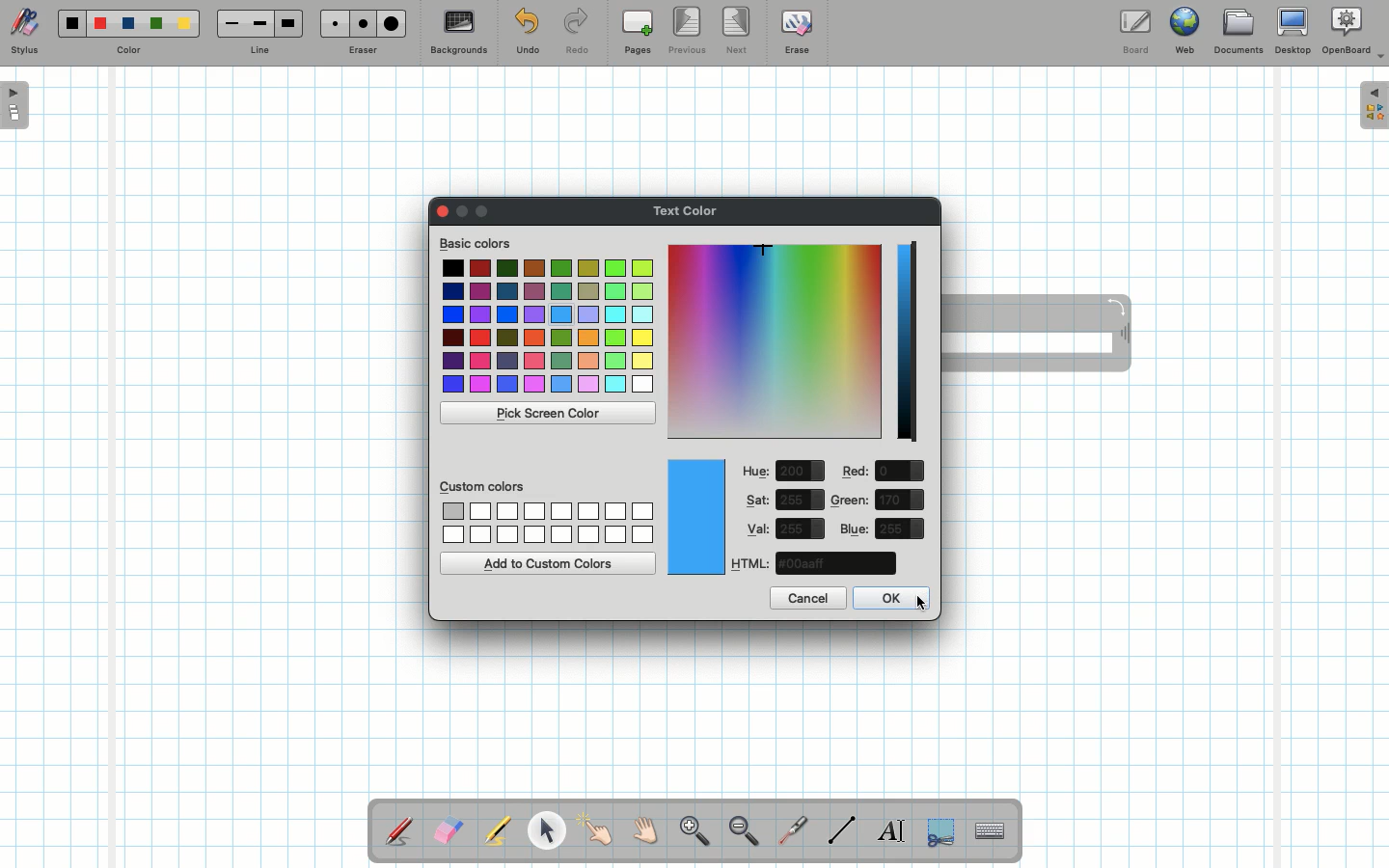  Describe the element at coordinates (901, 472) in the screenshot. I see `value` at that location.